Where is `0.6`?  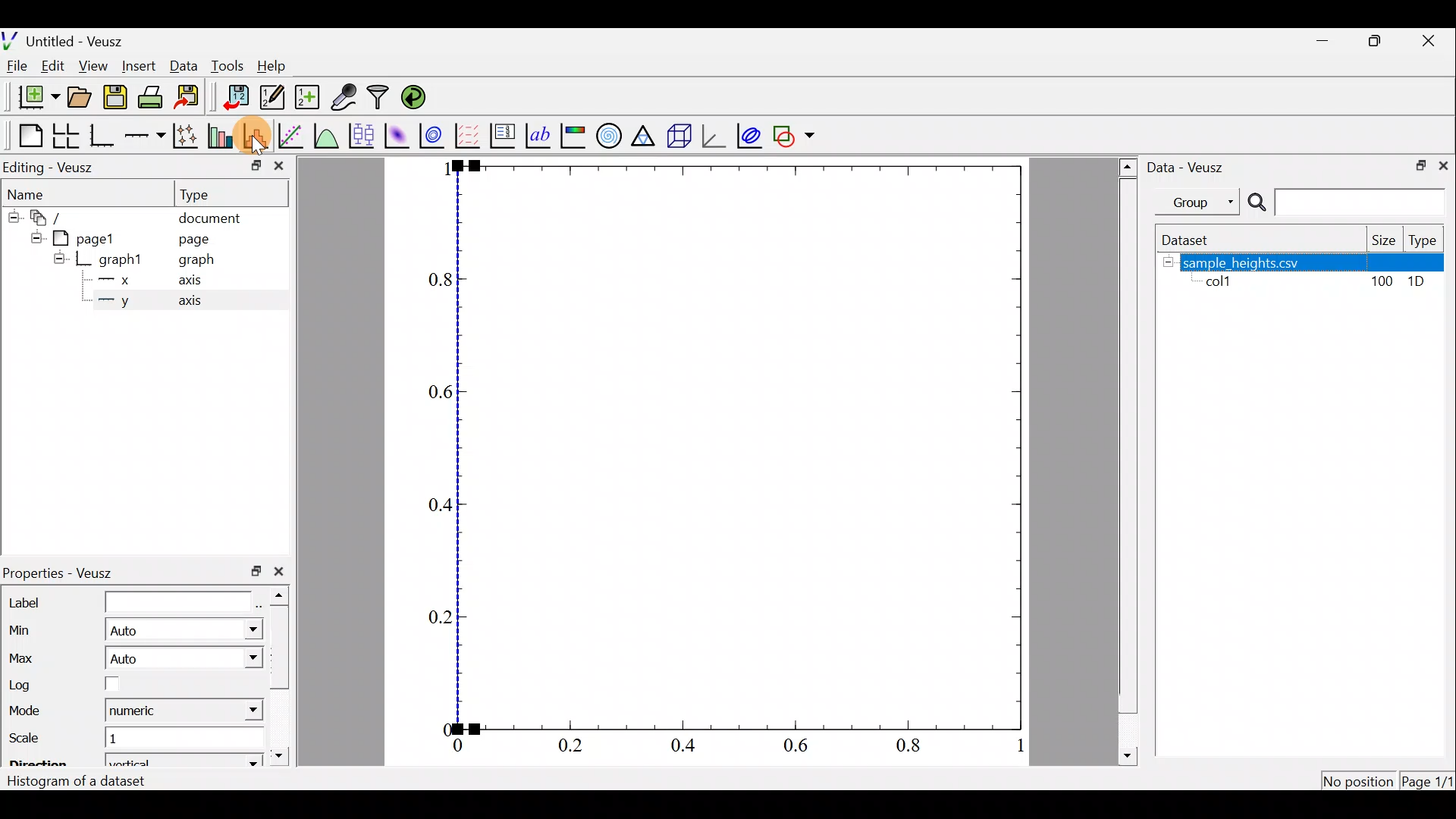
0.6 is located at coordinates (432, 394).